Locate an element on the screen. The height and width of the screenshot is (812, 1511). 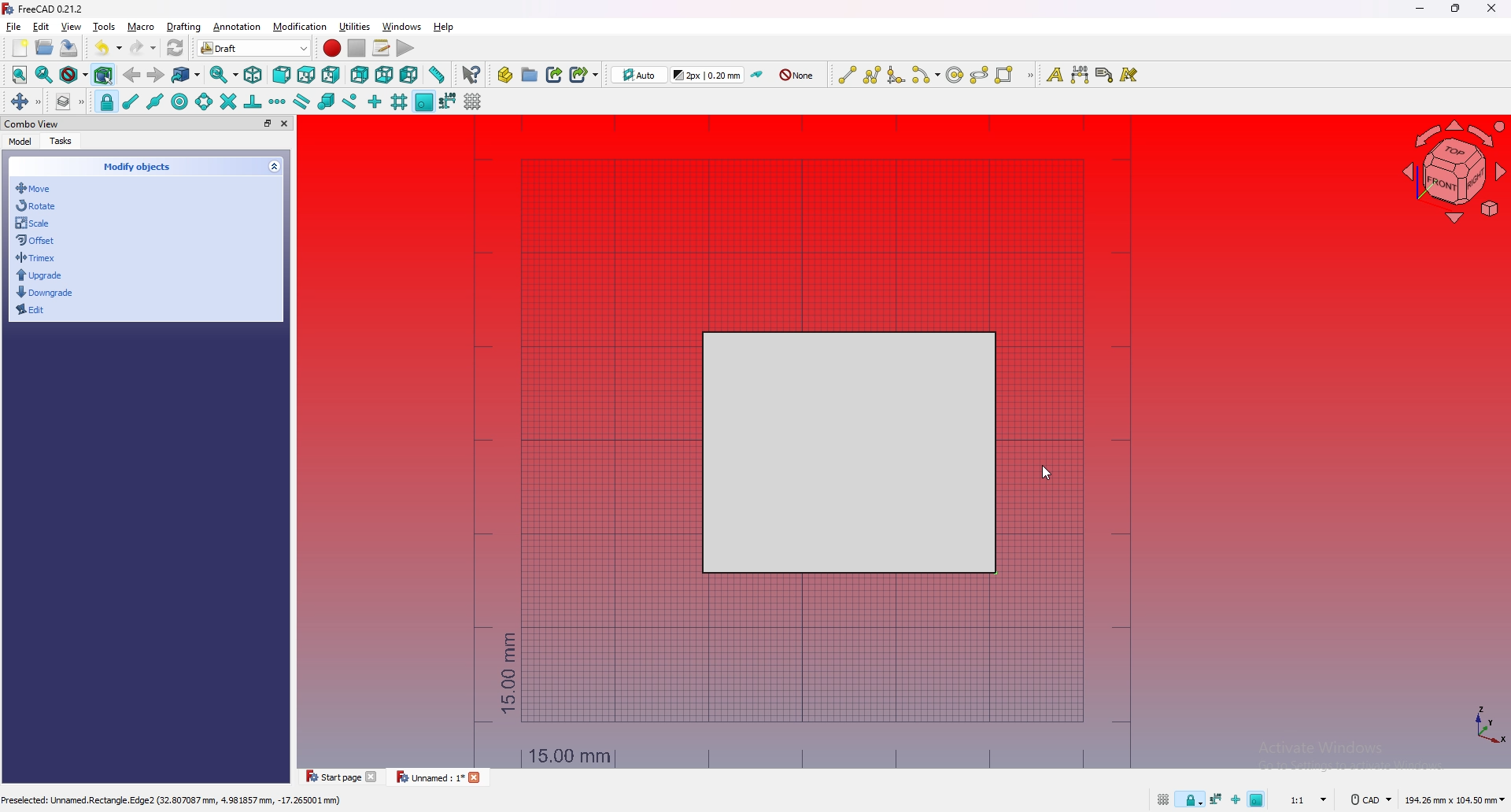
edit is located at coordinates (42, 27).